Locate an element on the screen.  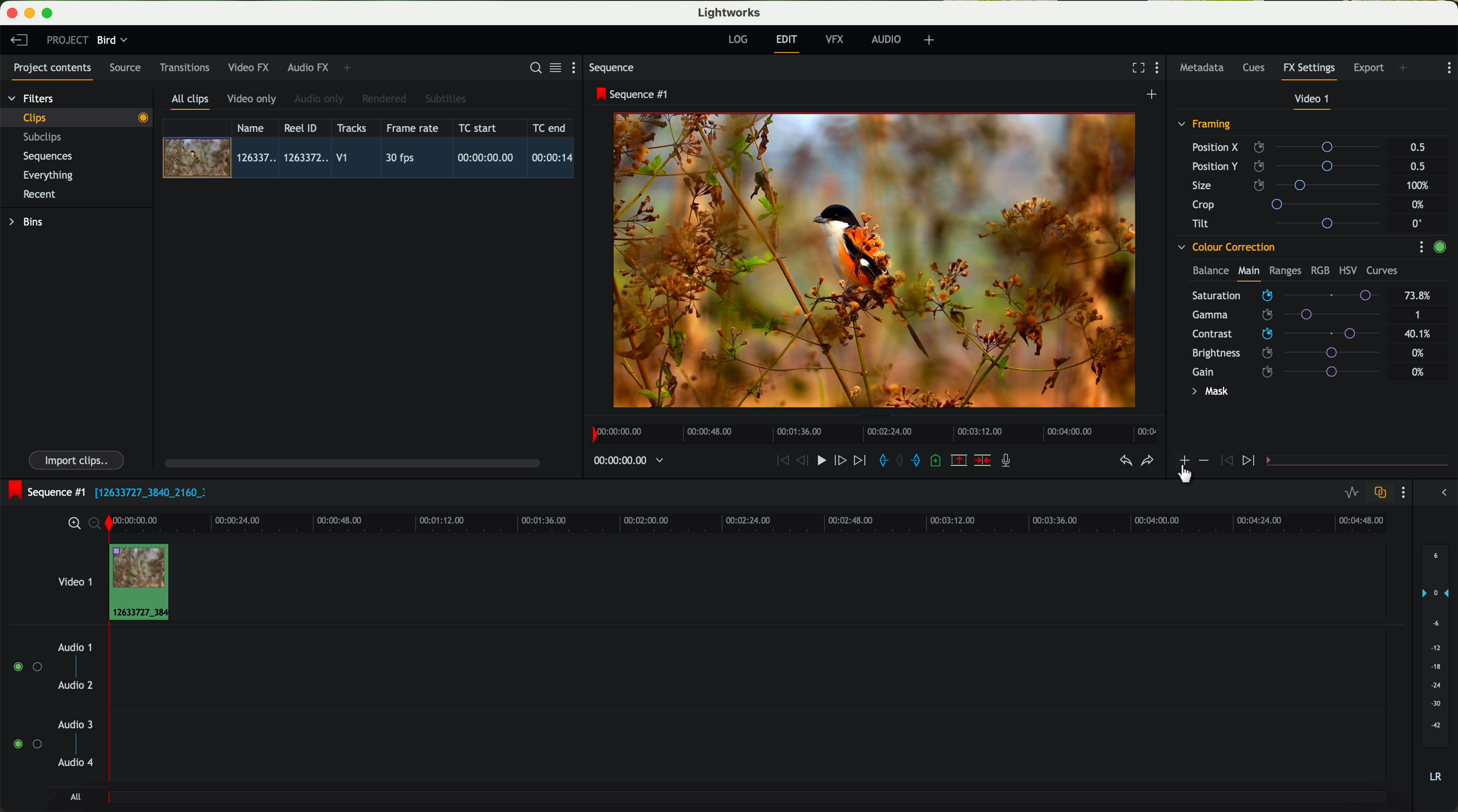
nudge one frame back is located at coordinates (804, 462).